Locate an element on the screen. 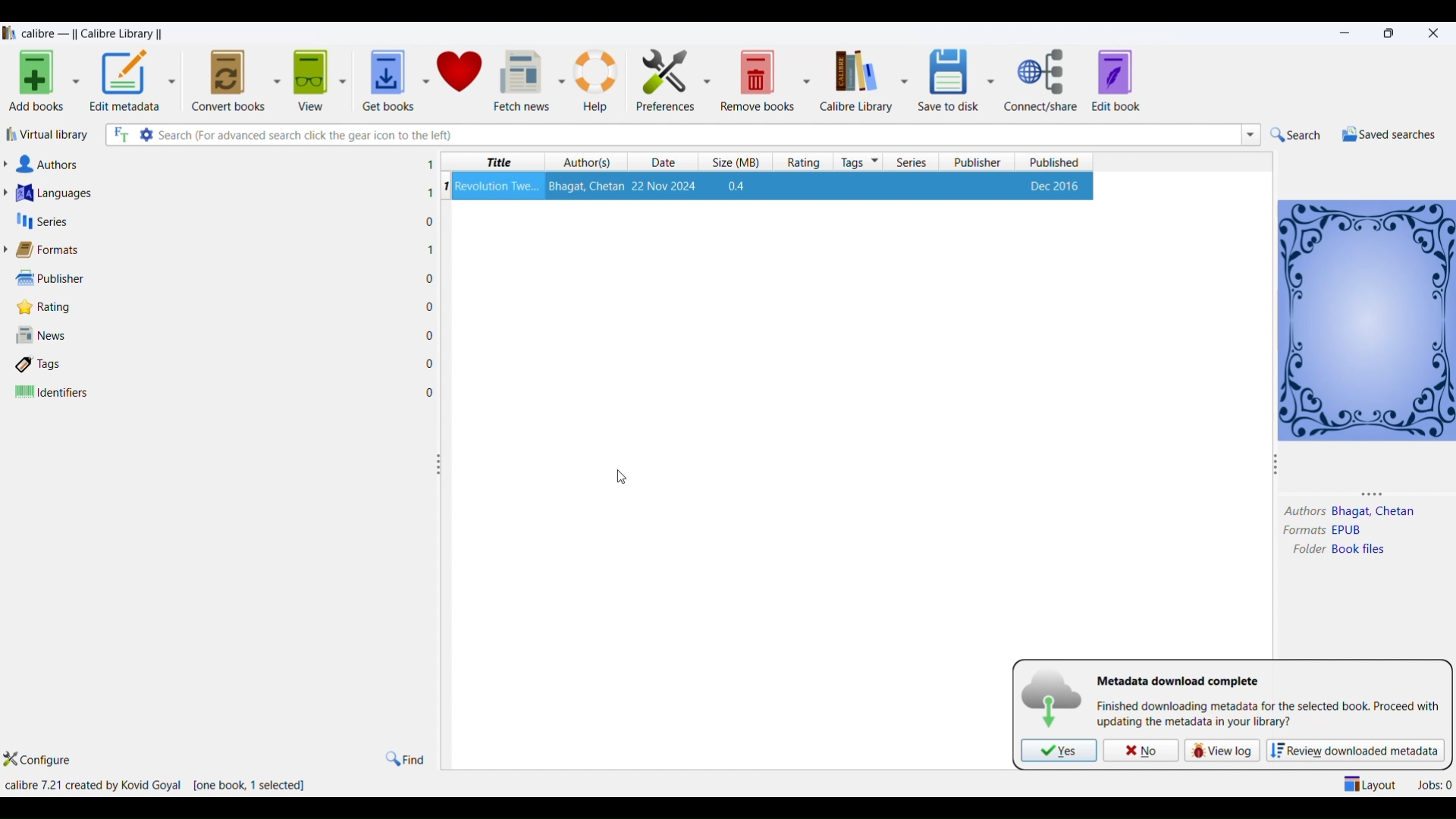  search is located at coordinates (1296, 135).